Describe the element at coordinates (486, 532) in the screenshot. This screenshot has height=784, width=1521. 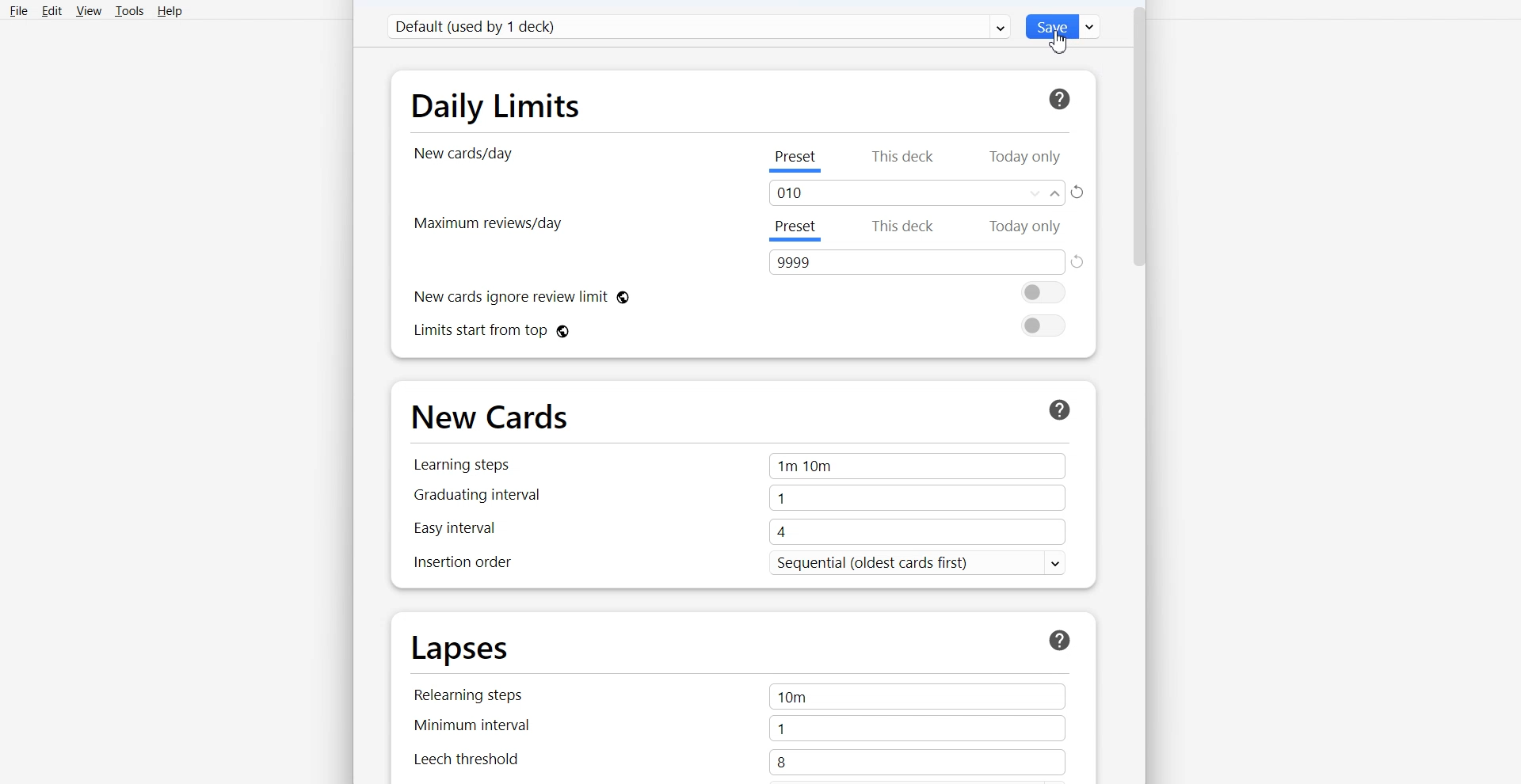
I see `Easy interval` at that location.